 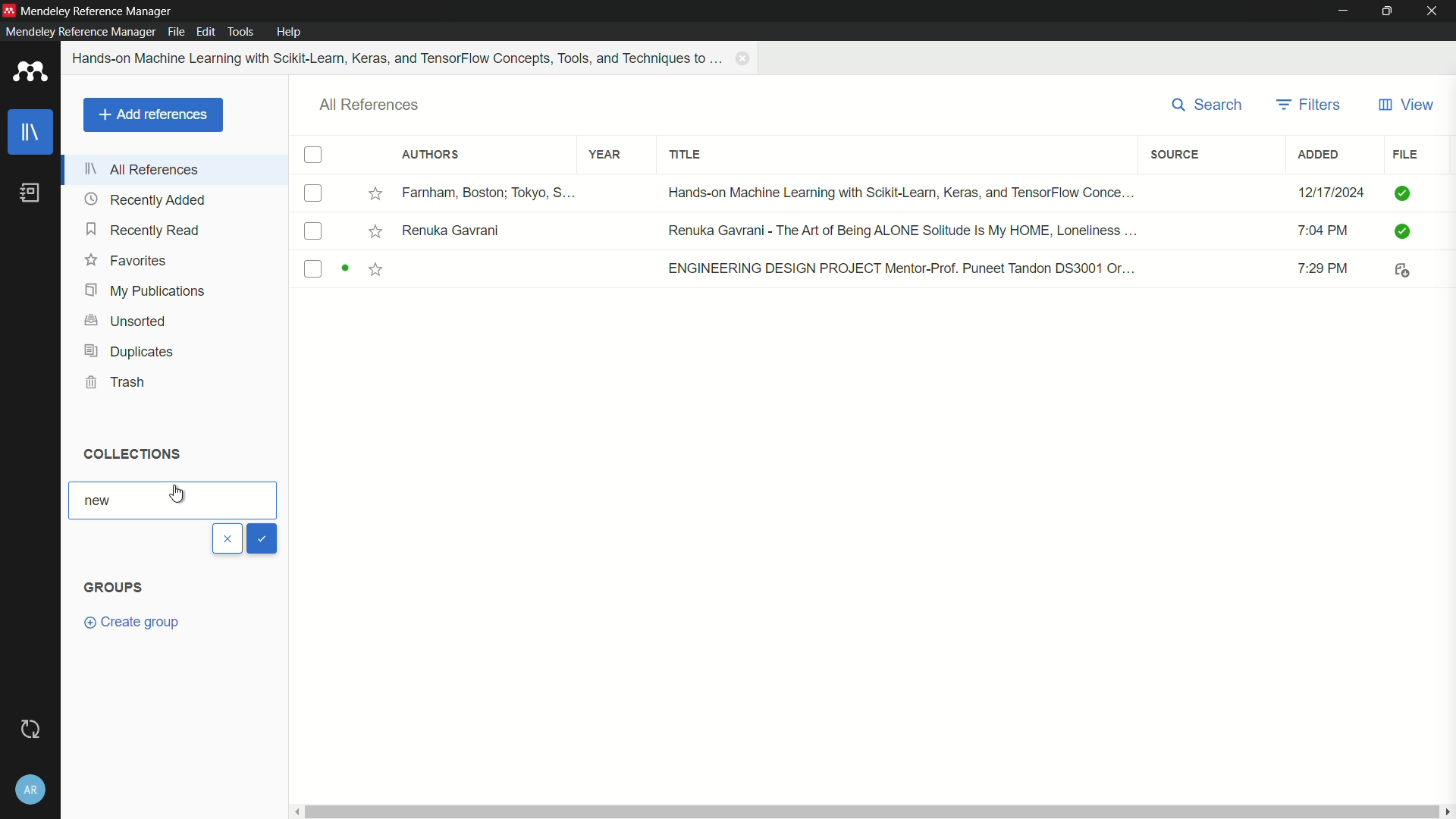 I want to click on filters, so click(x=1308, y=105).